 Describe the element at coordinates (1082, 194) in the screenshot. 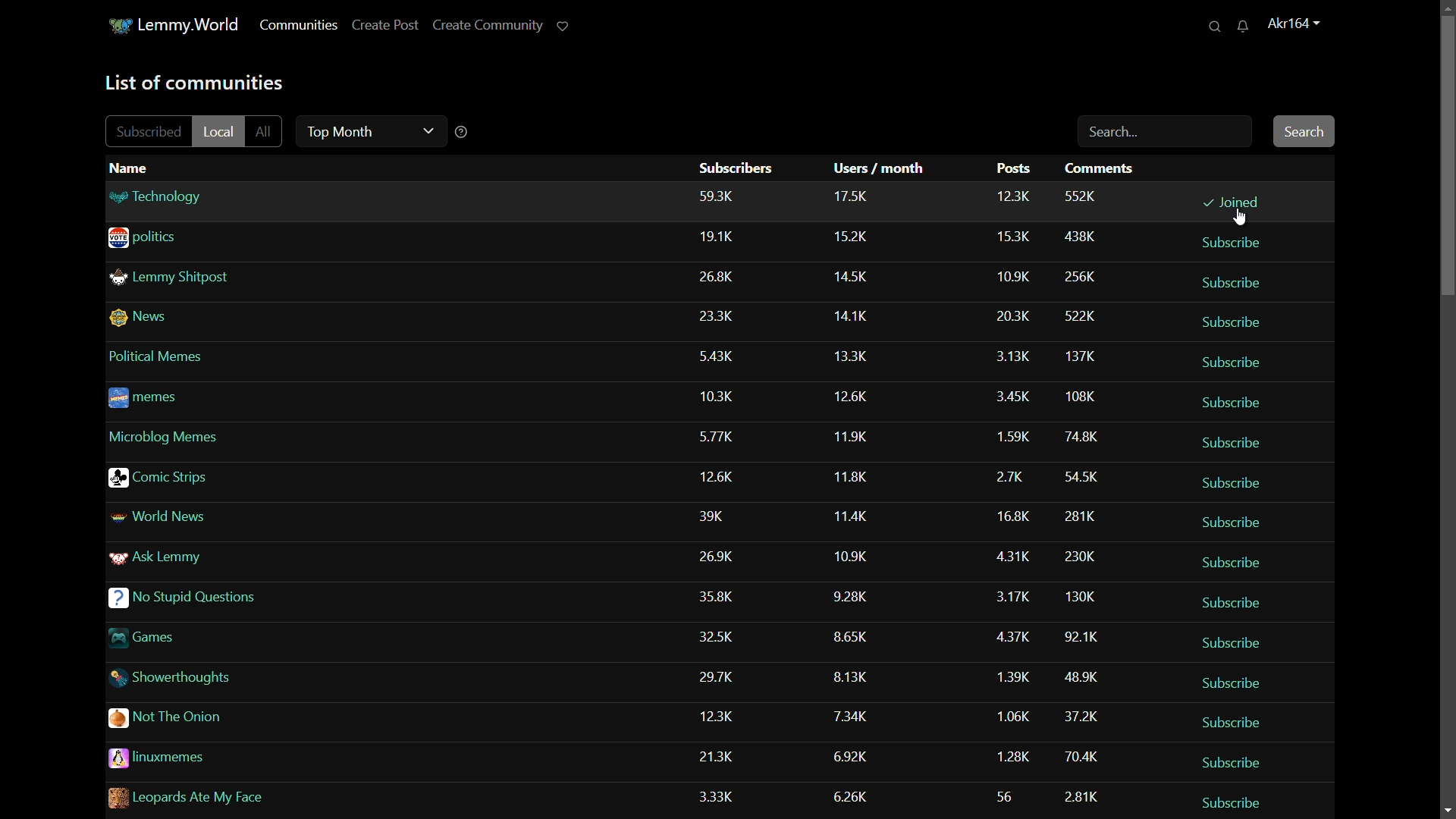

I see `comments` at that location.